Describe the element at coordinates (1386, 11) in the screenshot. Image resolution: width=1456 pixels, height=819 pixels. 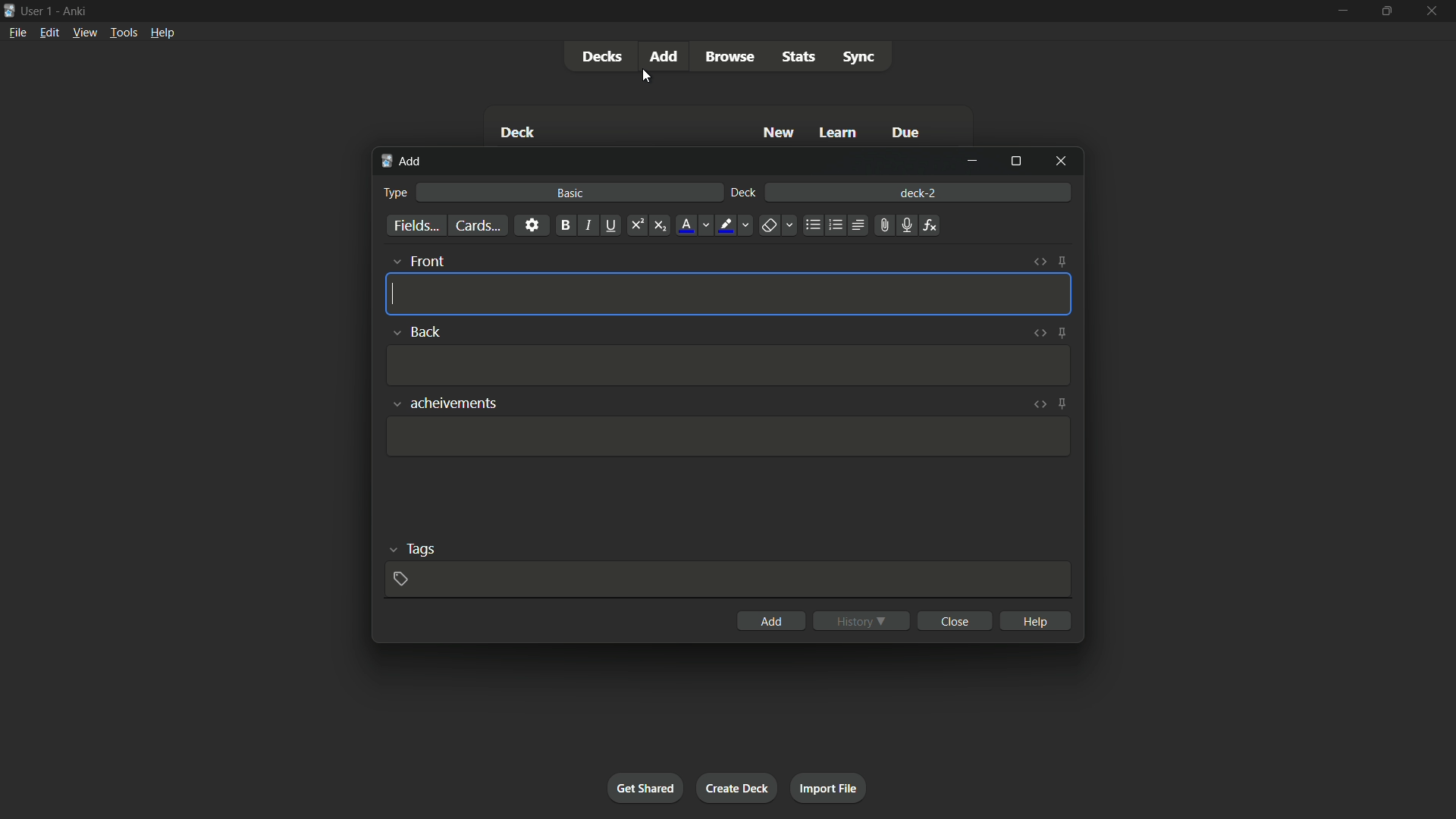
I see `maximize` at that location.